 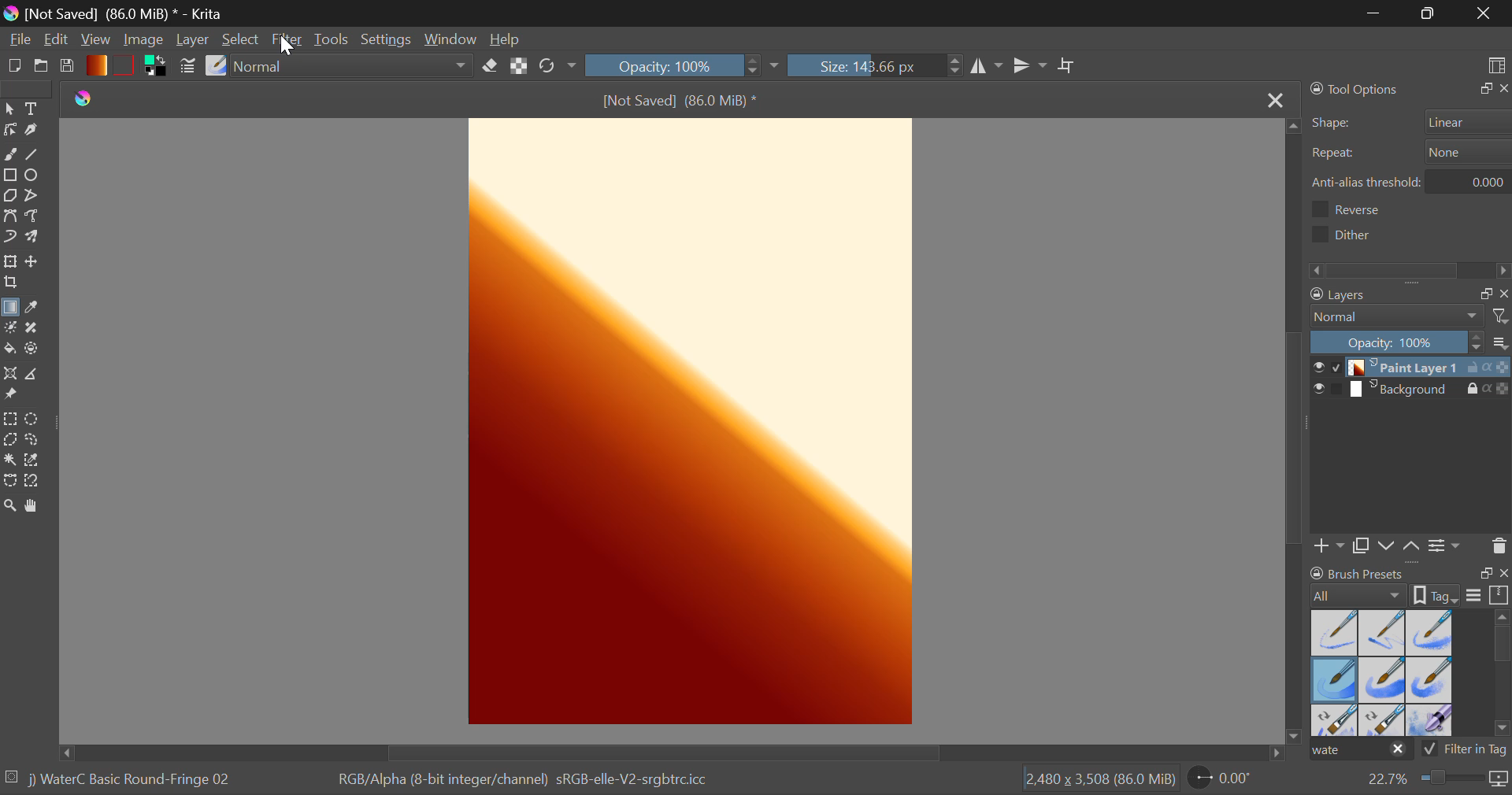 What do you see at coordinates (1447, 544) in the screenshot?
I see `settings` at bounding box center [1447, 544].